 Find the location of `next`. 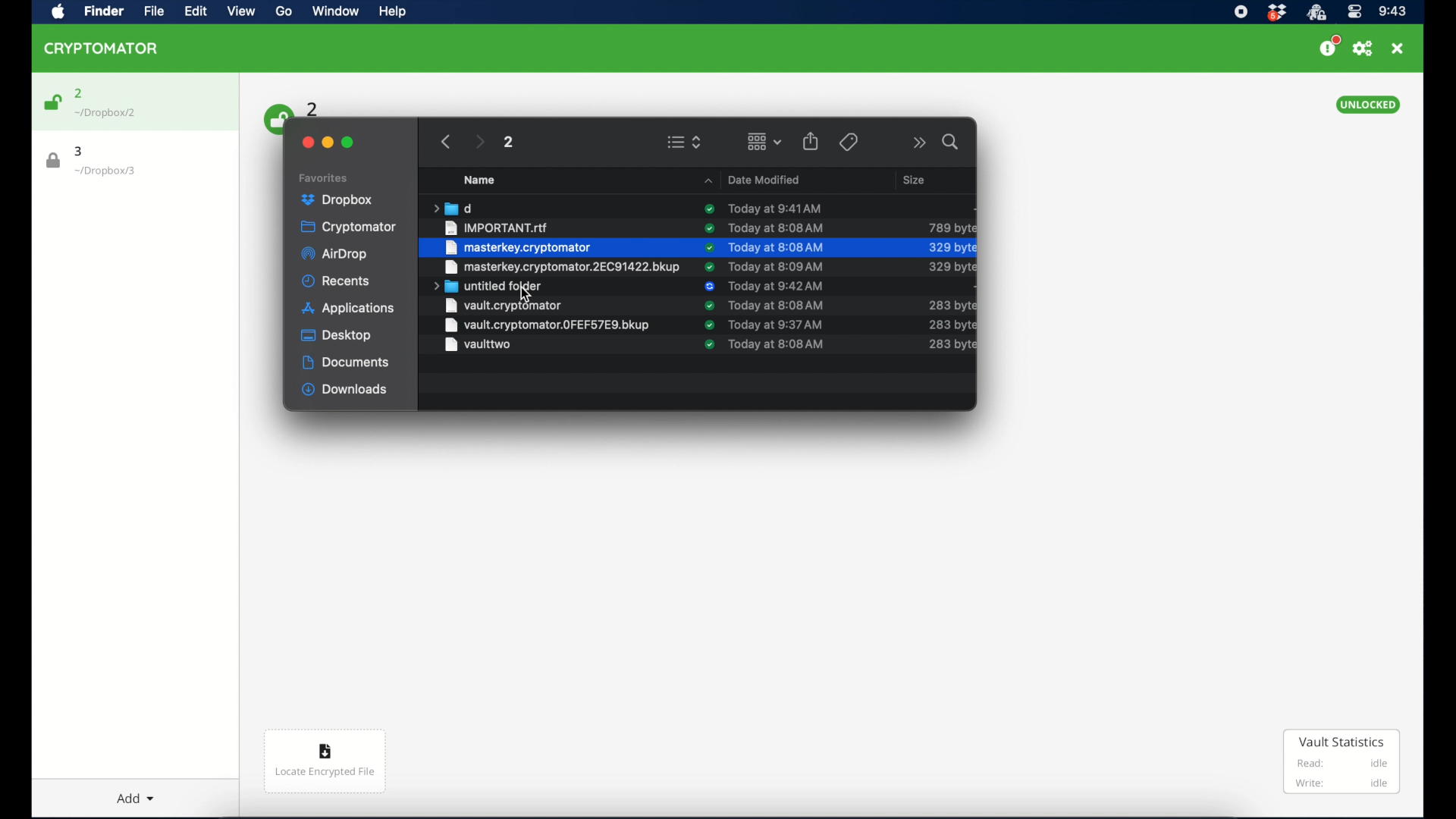

next is located at coordinates (479, 142).